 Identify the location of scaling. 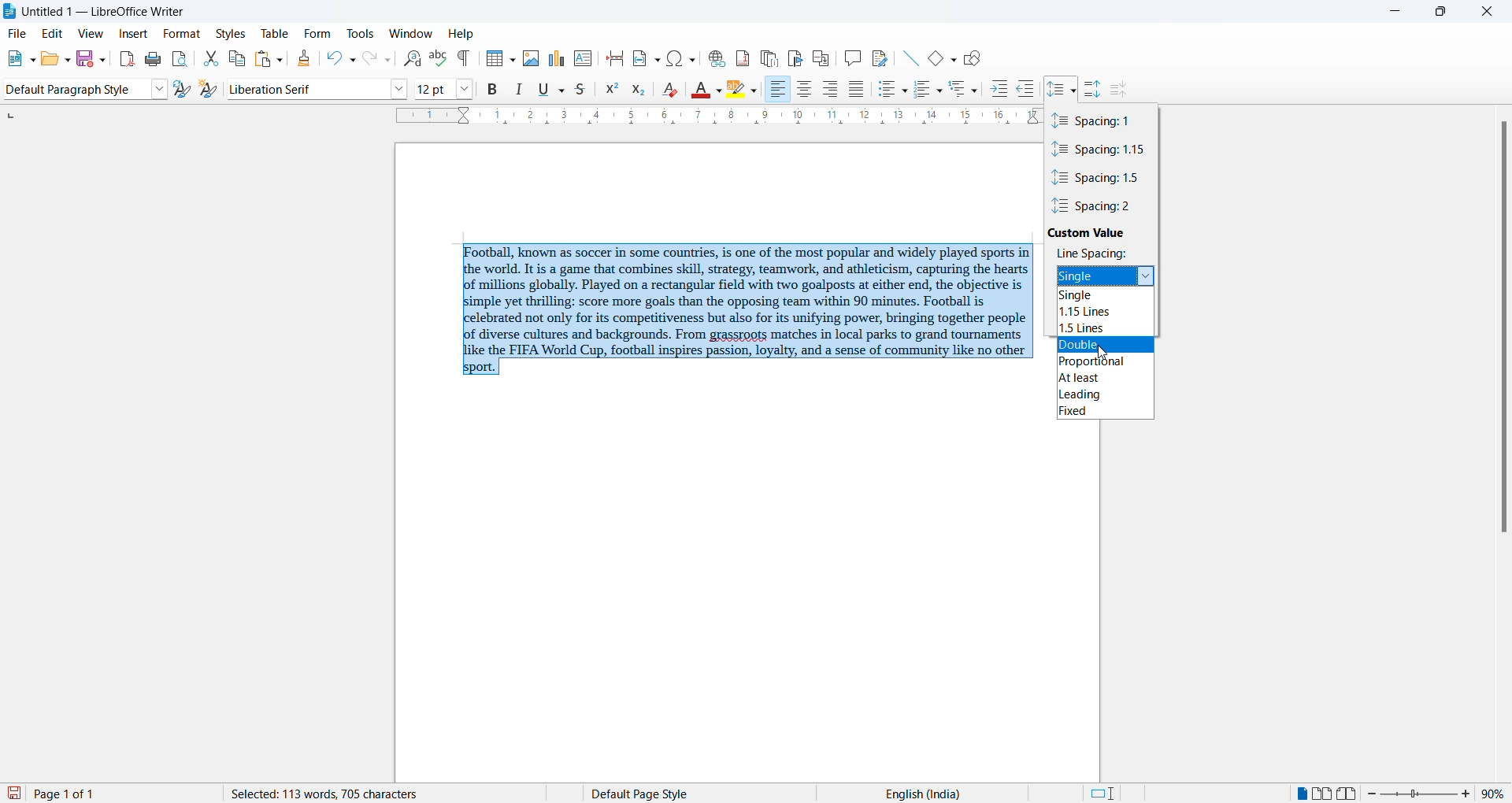
(710, 118).